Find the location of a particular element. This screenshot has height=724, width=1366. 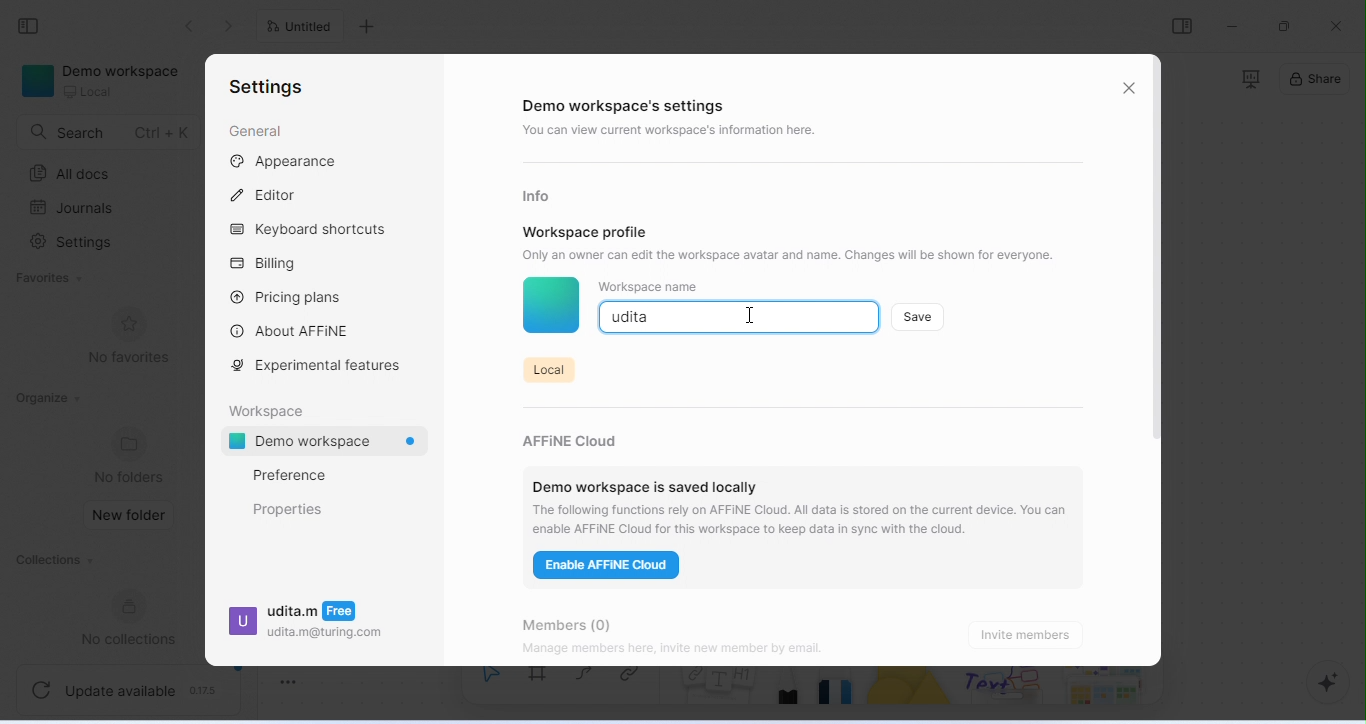

close is located at coordinates (1129, 87).